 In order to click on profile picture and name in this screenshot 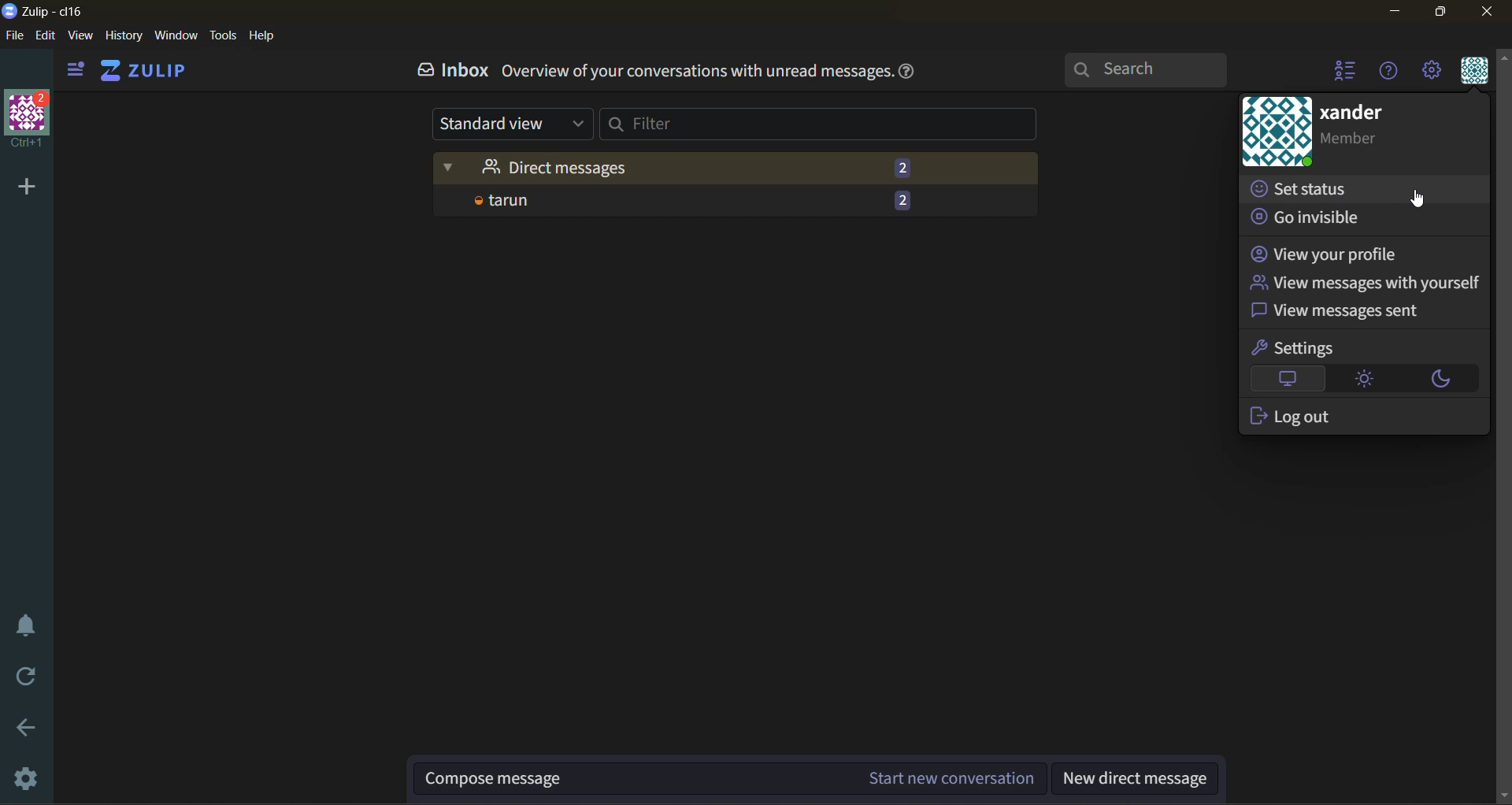, I will do `click(1359, 135)`.